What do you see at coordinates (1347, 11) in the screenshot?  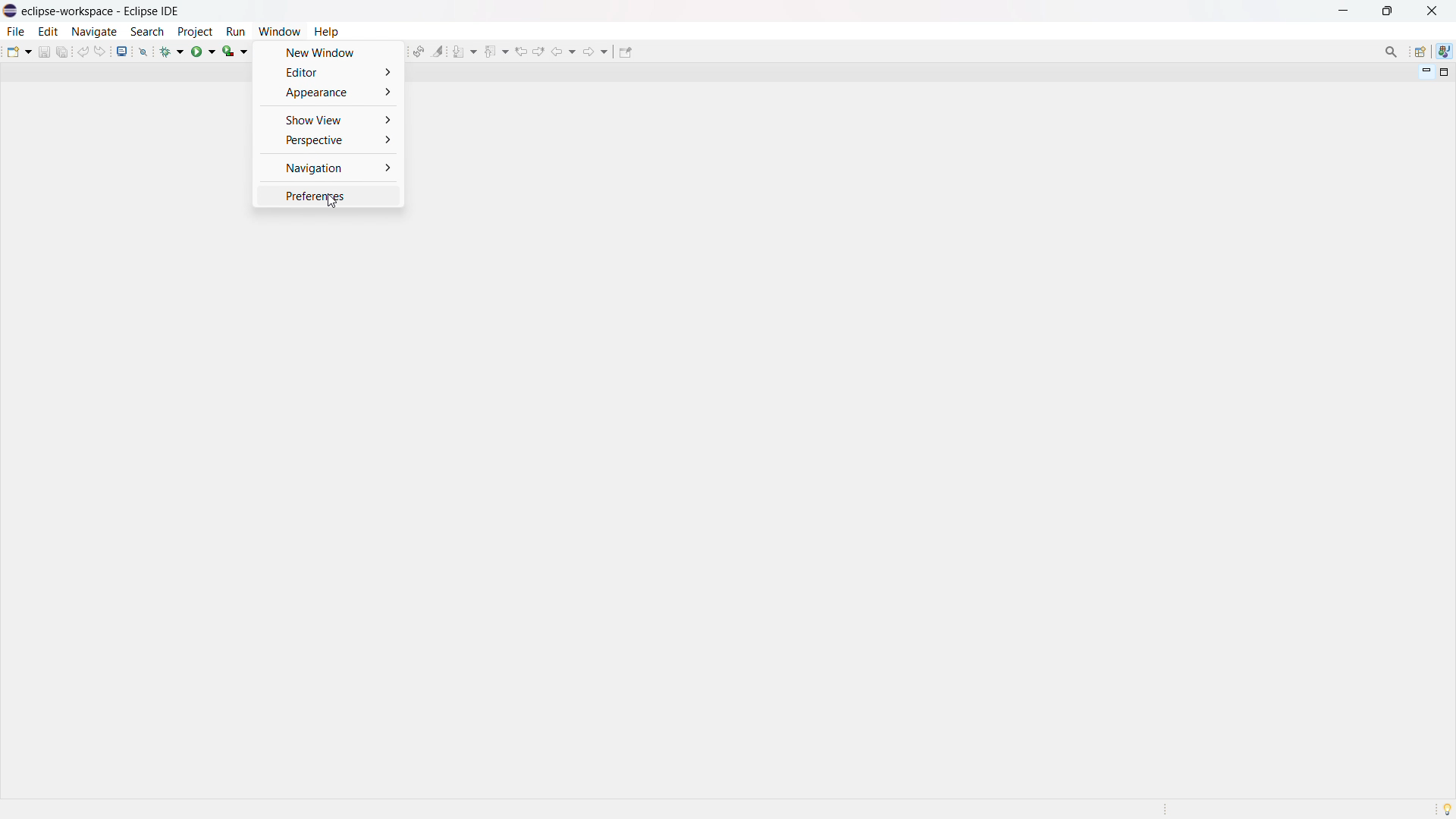 I see `minimize` at bounding box center [1347, 11].